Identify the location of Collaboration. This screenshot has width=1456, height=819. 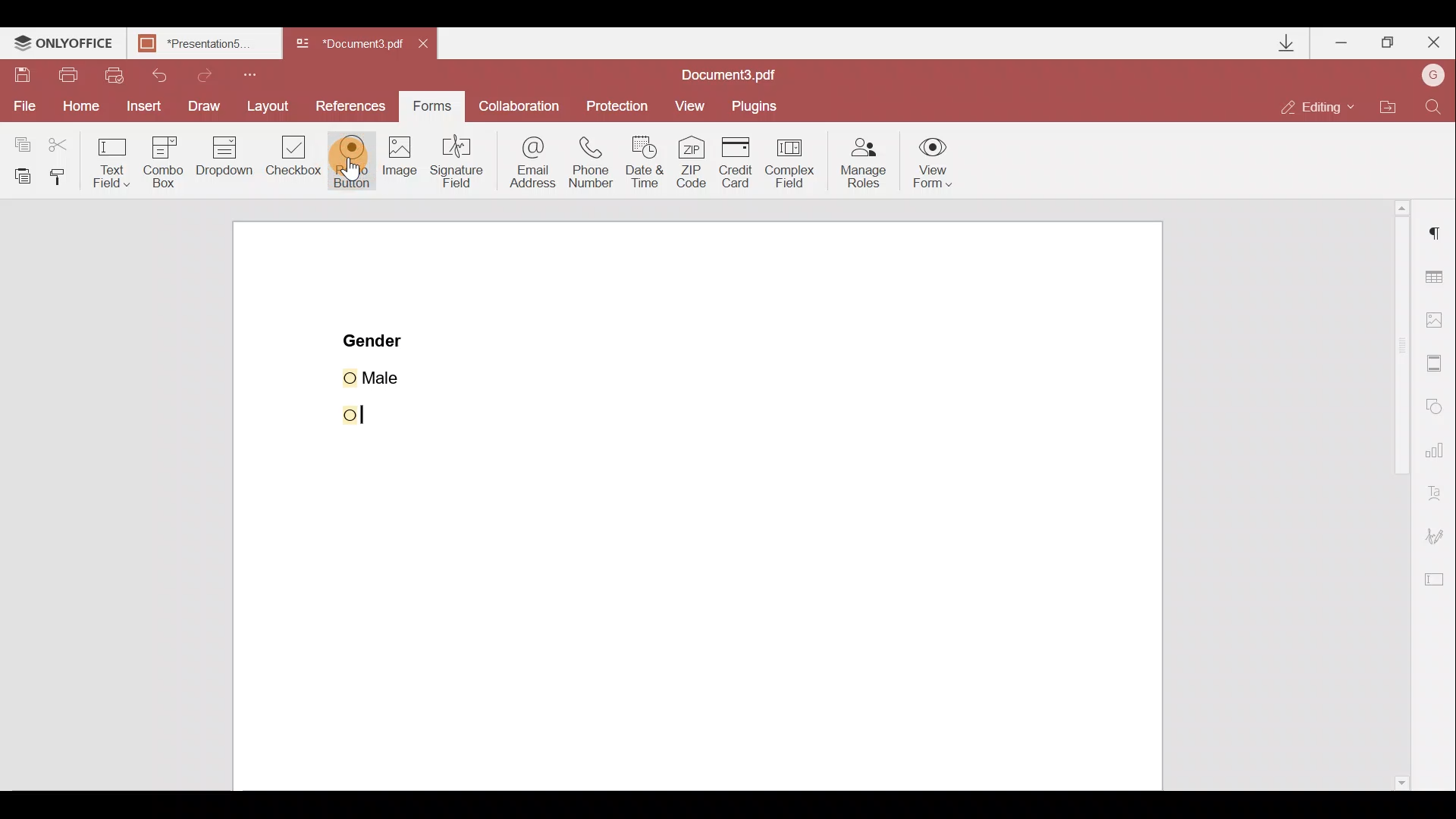
(523, 105).